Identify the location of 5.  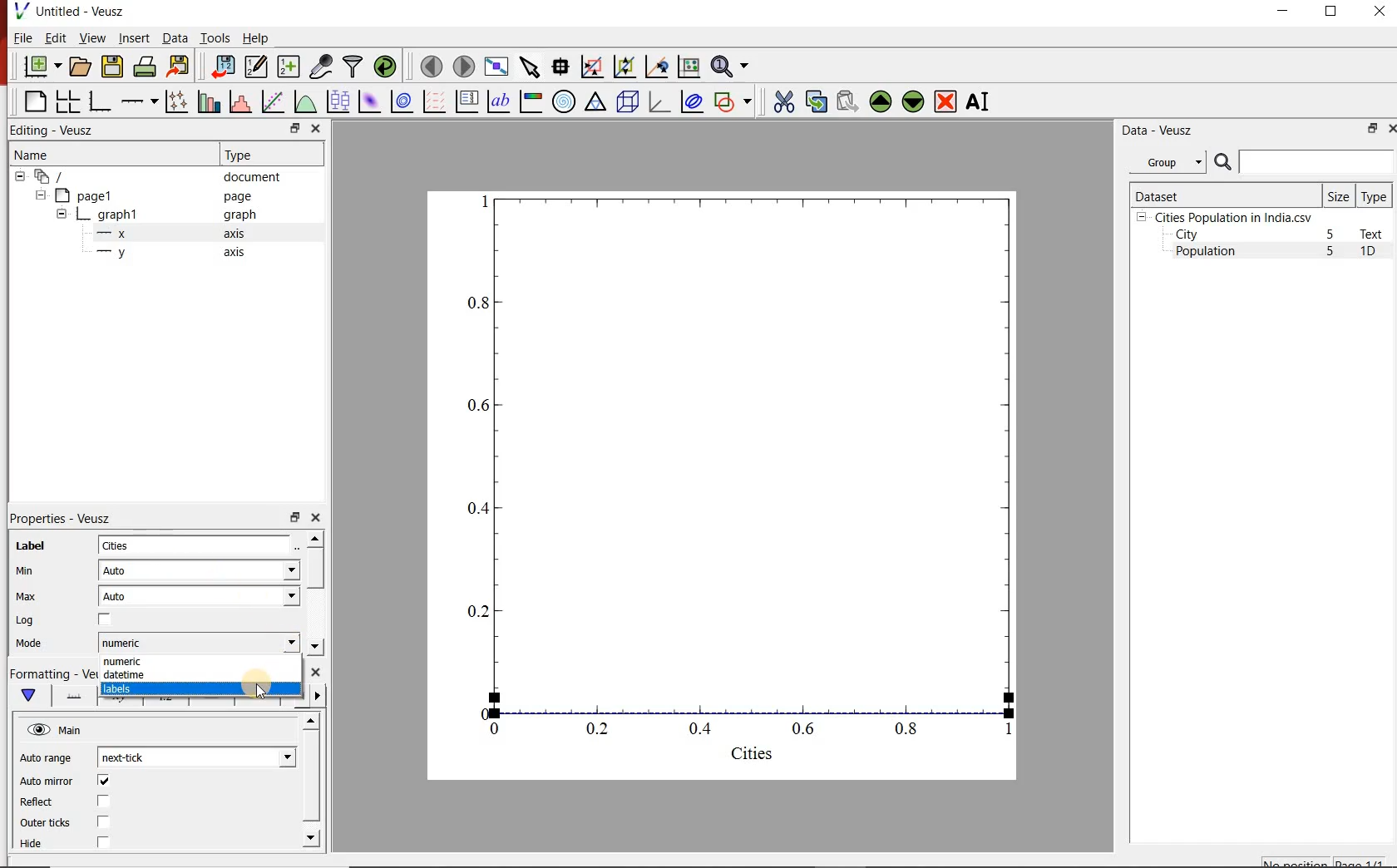
(1331, 252).